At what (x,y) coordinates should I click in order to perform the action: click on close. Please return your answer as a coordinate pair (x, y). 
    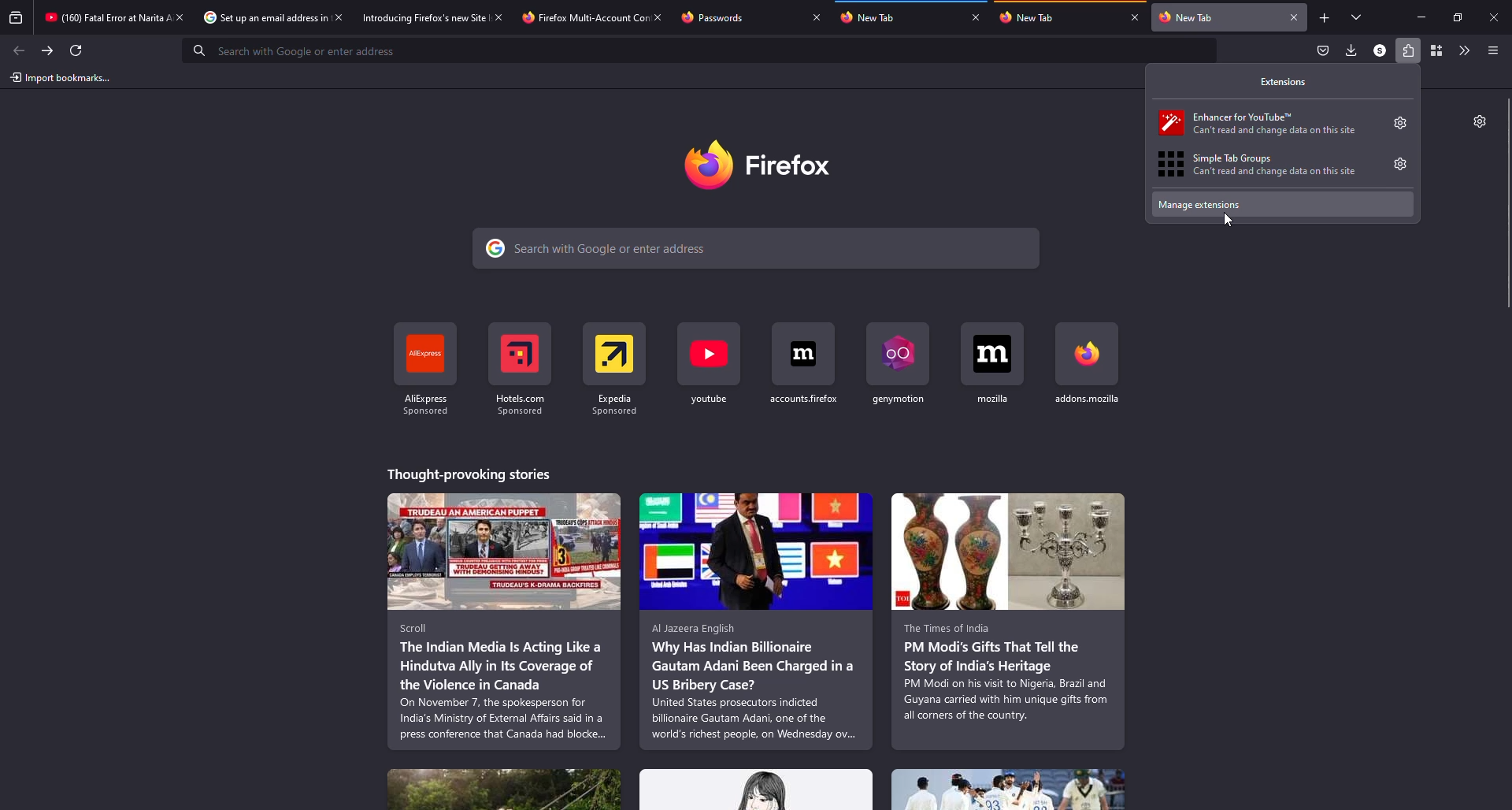
    Looking at the image, I should click on (658, 17).